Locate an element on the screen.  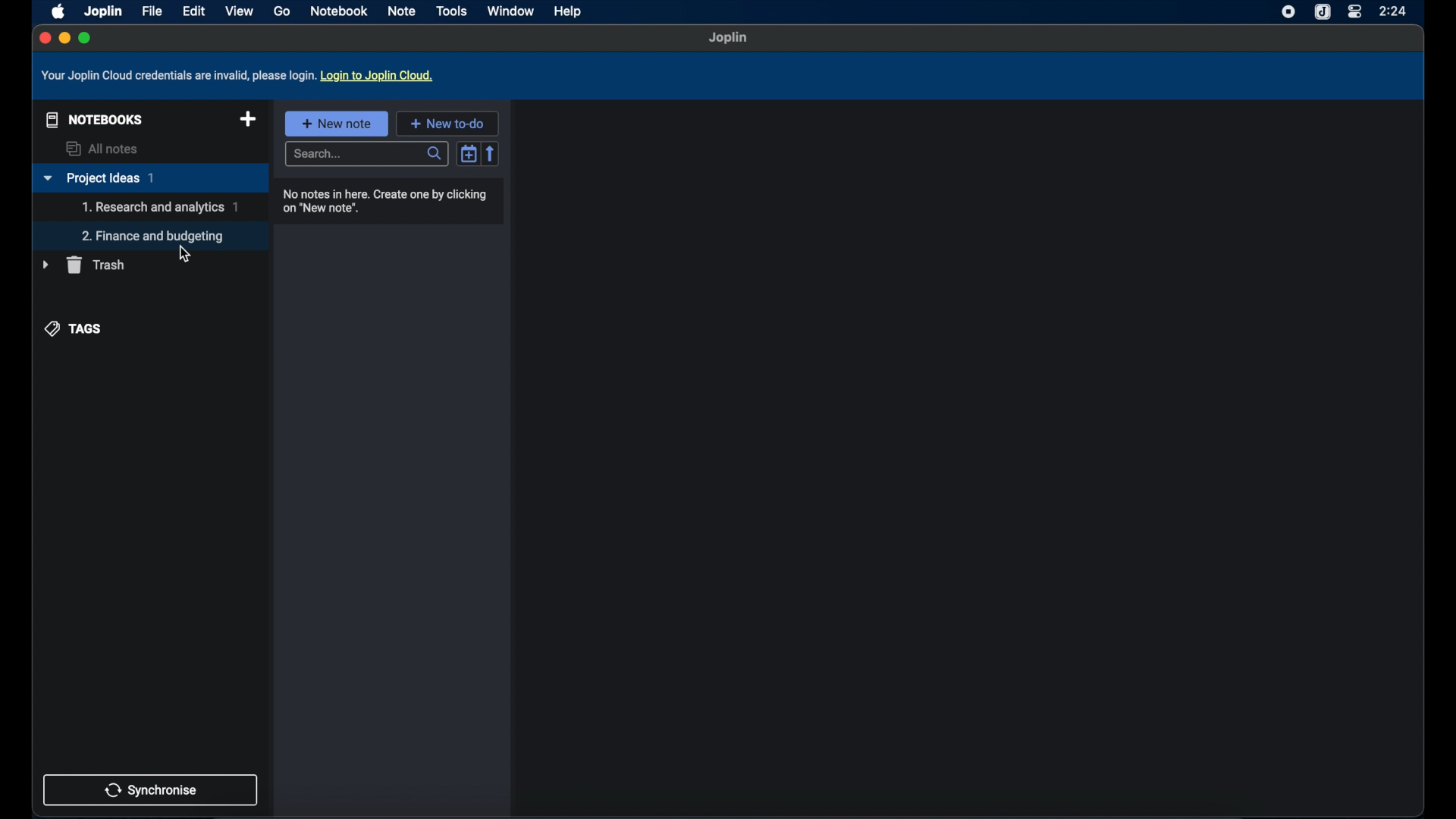
notebooks is located at coordinates (91, 118).